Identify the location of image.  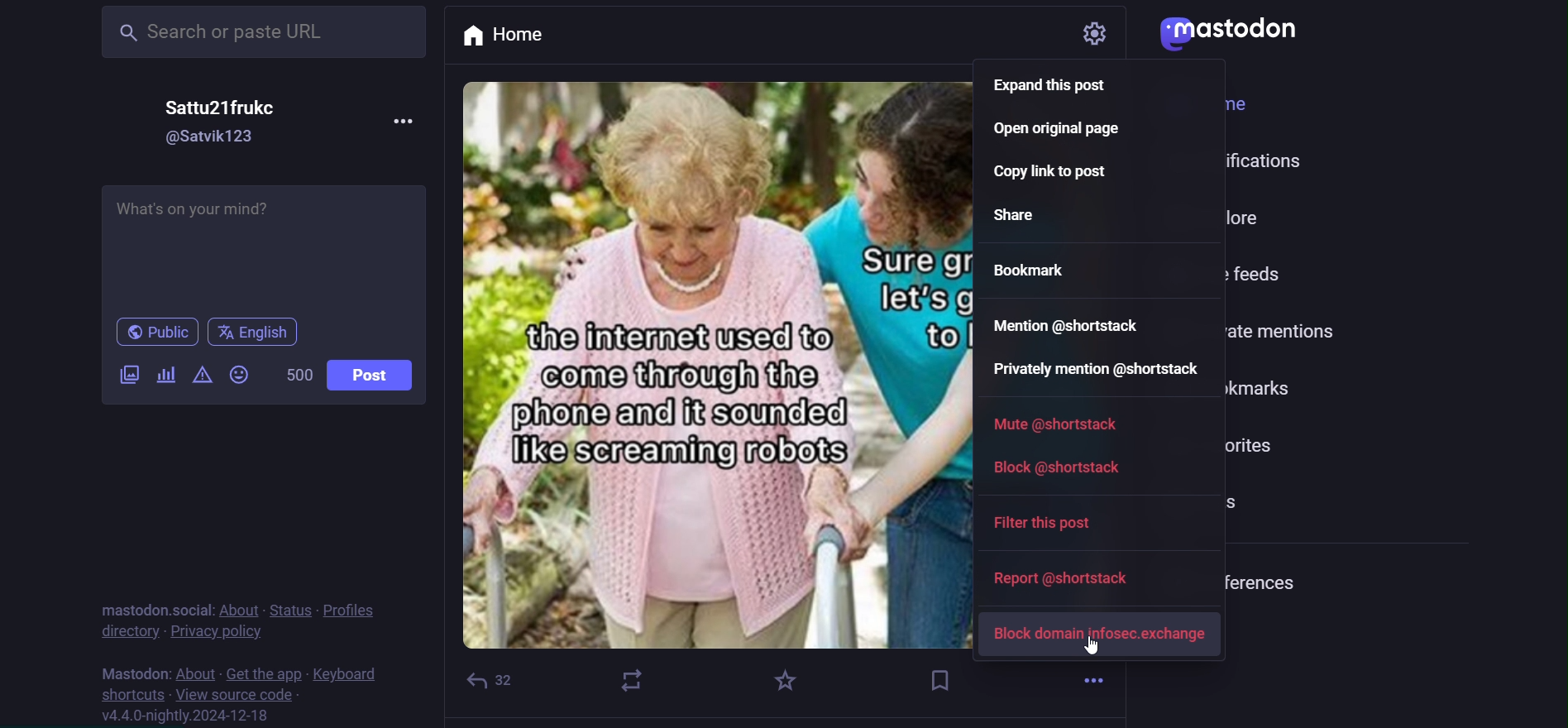
(726, 362).